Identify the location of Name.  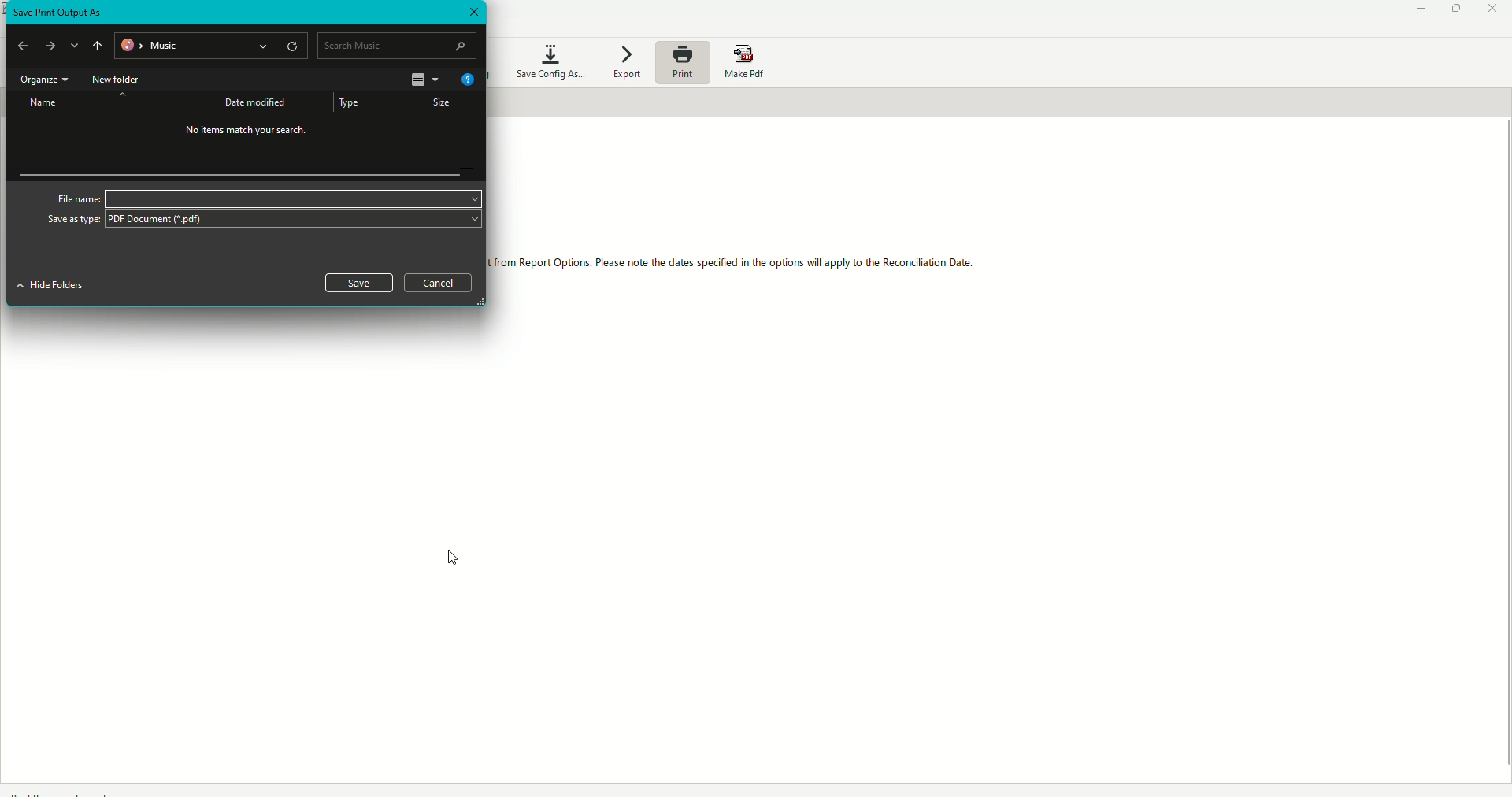
(39, 105).